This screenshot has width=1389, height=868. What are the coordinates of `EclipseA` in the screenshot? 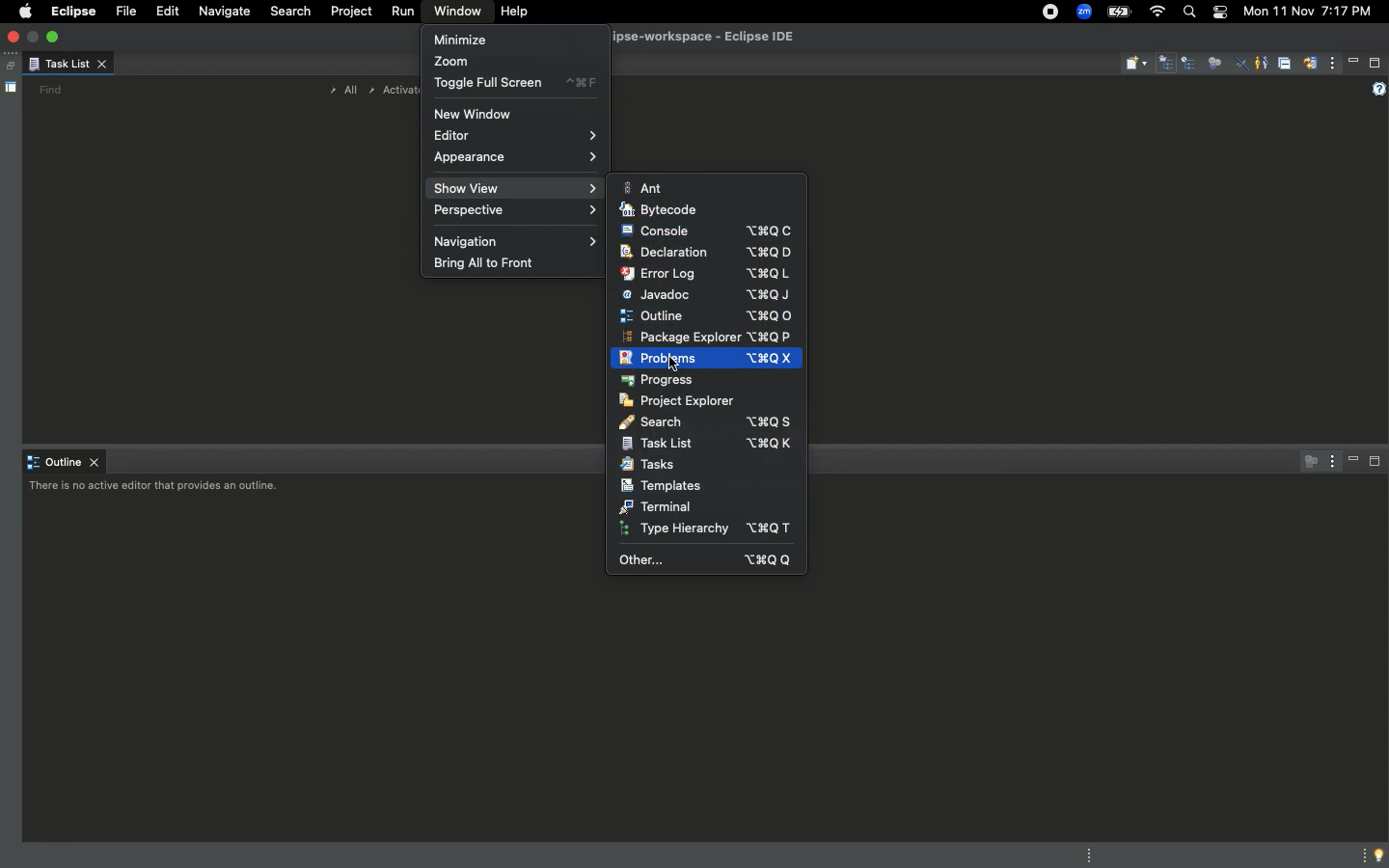 It's located at (71, 12).